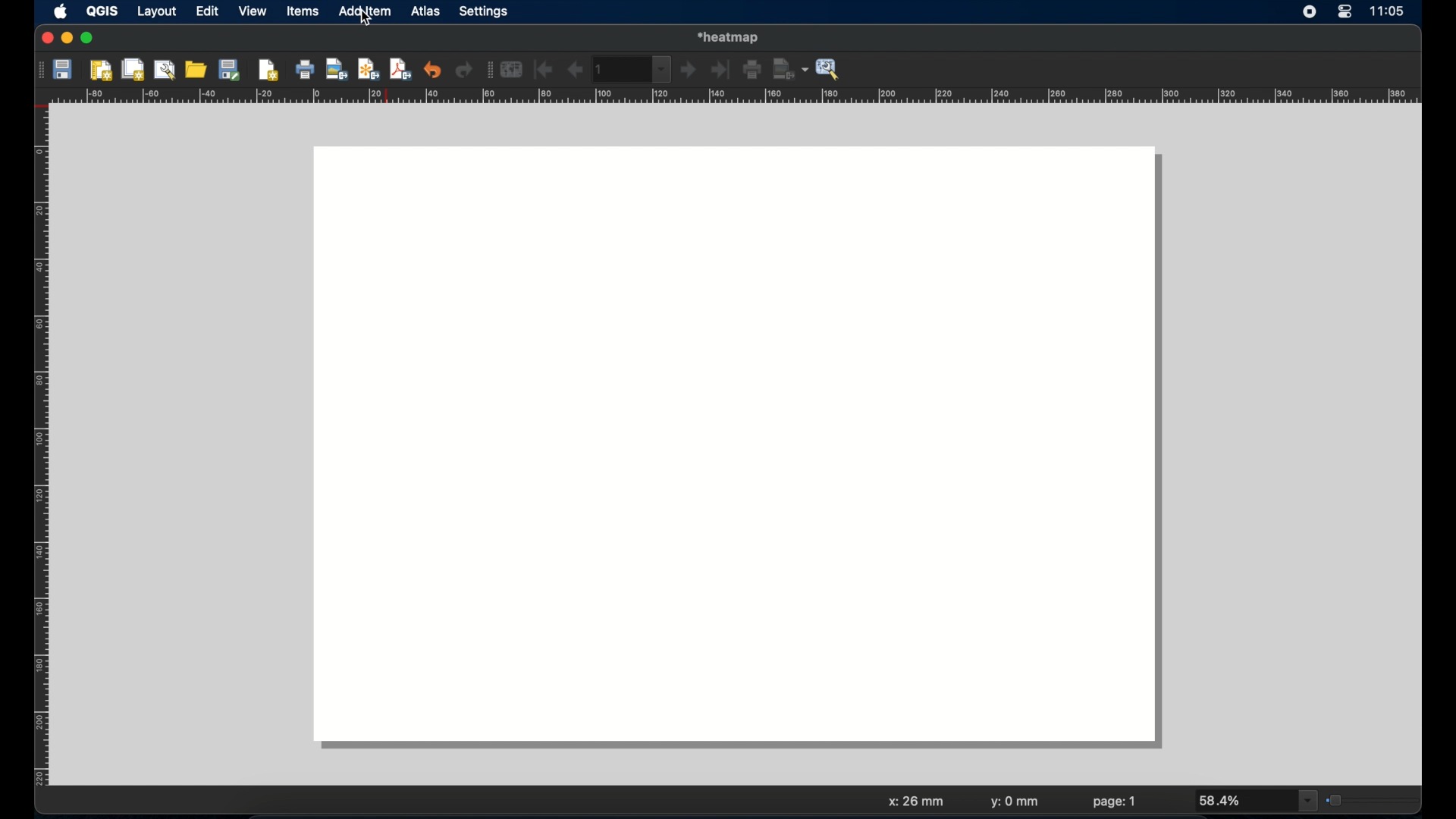  Describe the element at coordinates (104, 11) in the screenshot. I see `QGIS` at that location.